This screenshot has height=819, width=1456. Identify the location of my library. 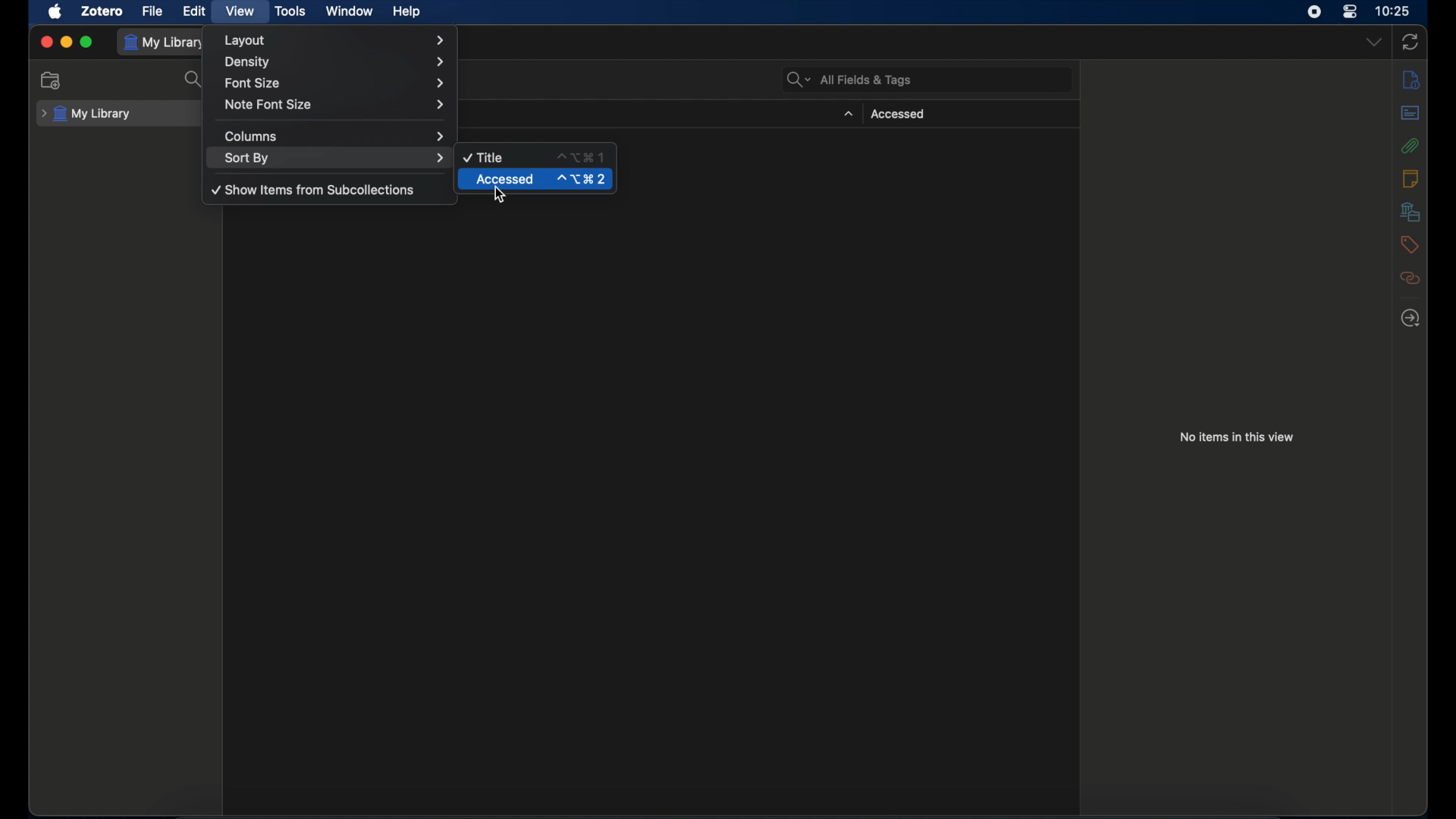
(165, 42).